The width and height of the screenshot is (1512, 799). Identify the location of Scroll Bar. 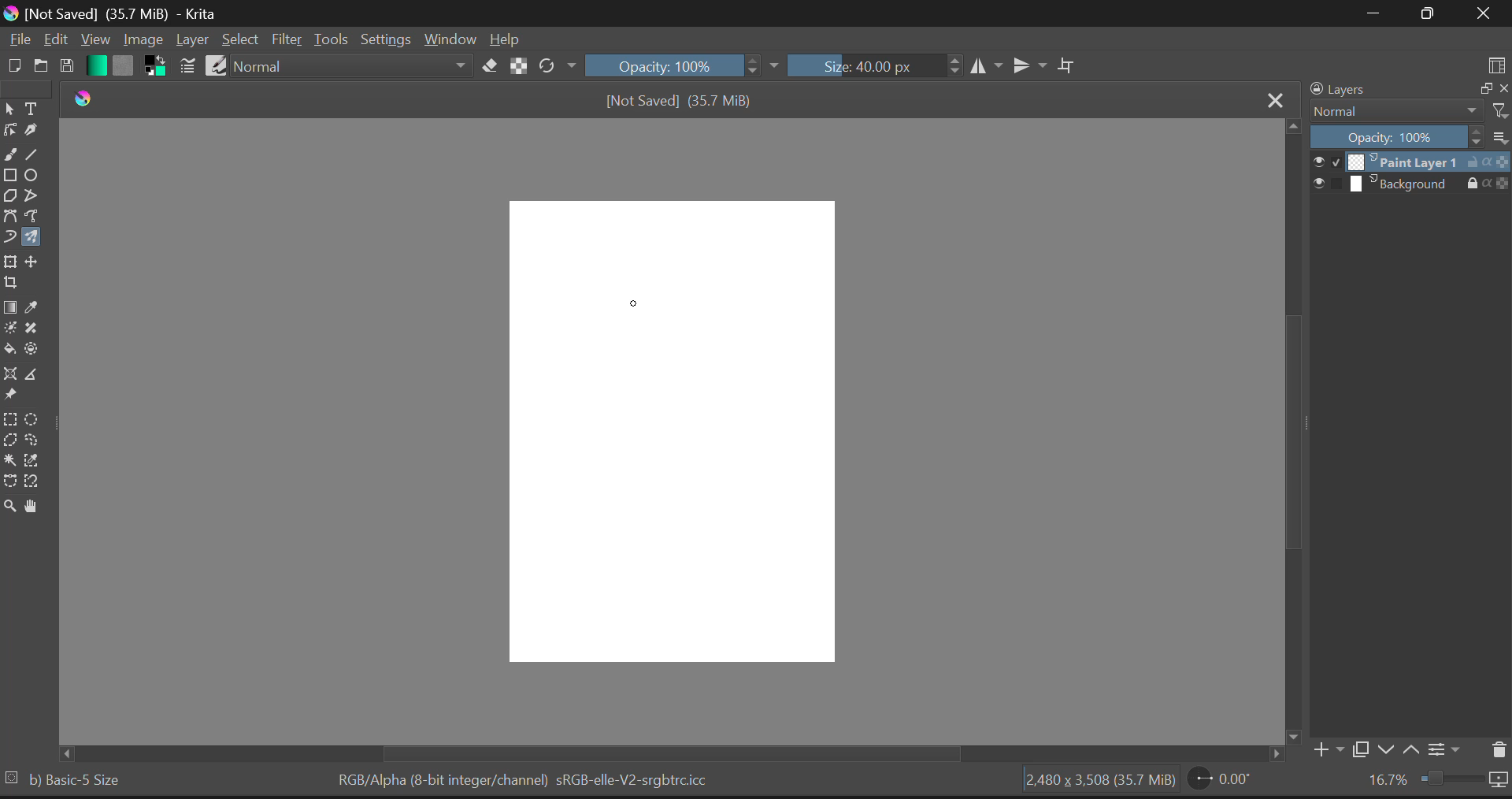
(658, 754).